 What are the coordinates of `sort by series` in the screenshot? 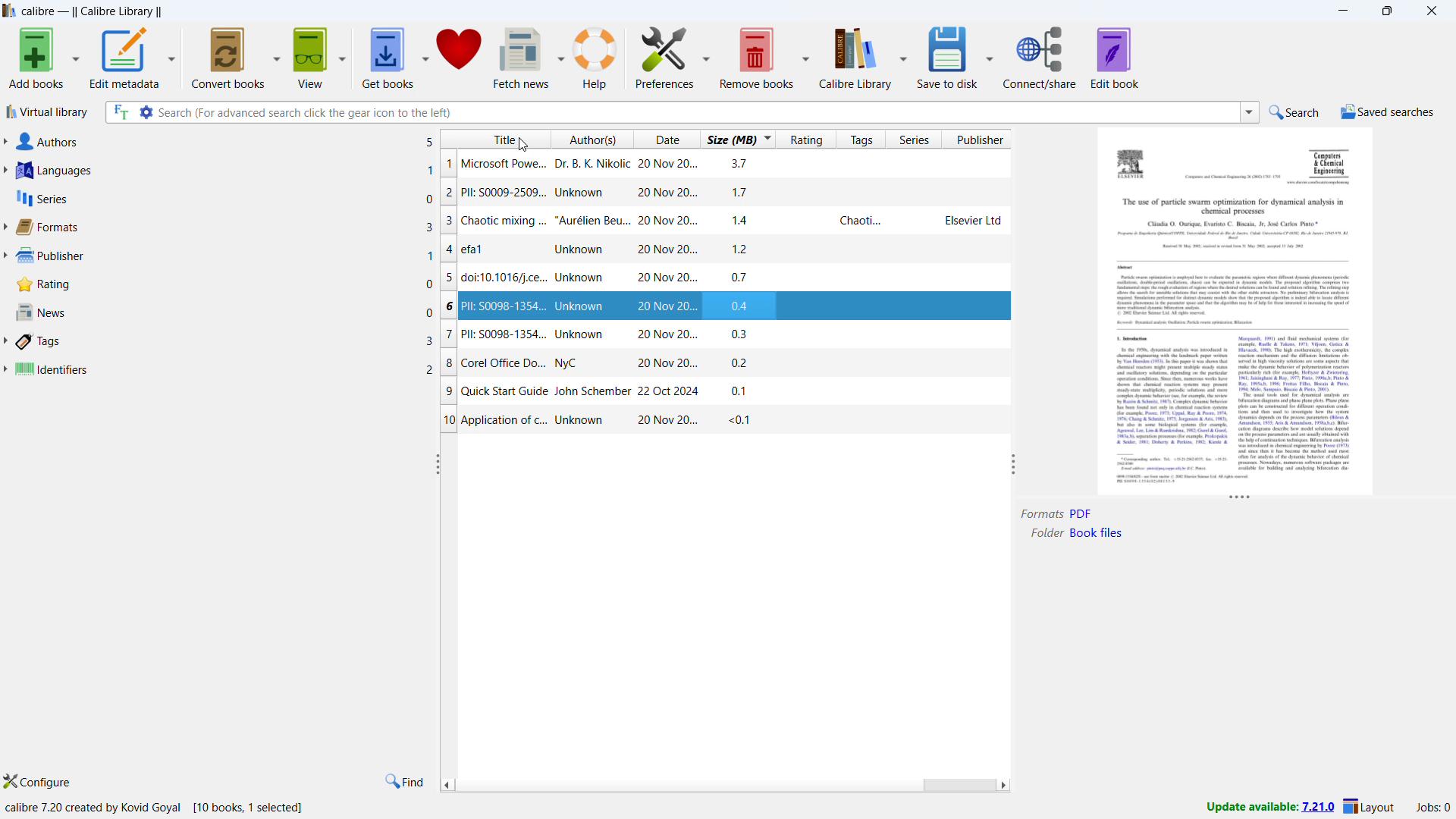 It's located at (914, 140).